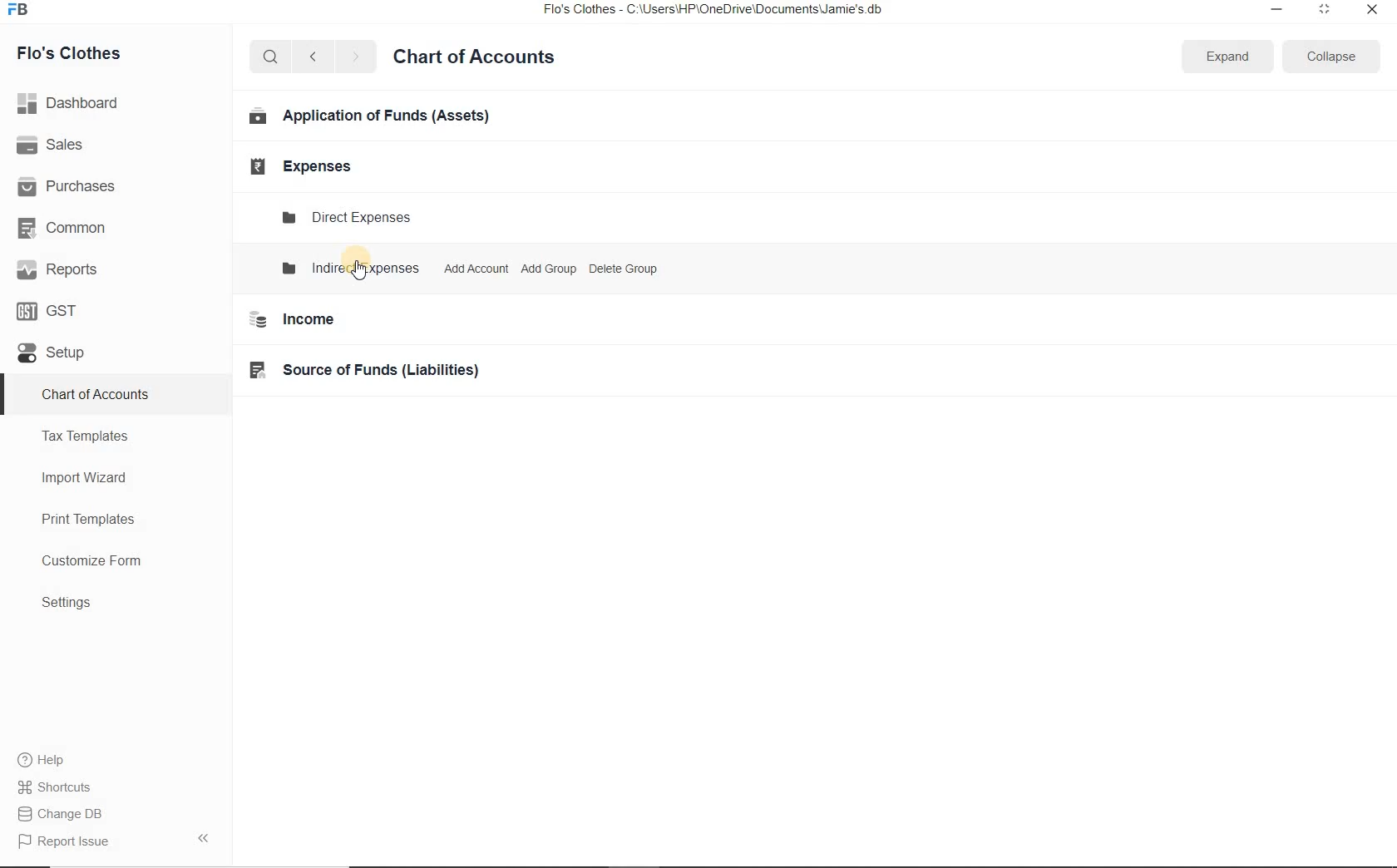 Image resolution: width=1397 pixels, height=868 pixels. What do you see at coordinates (368, 368) in the screenshot?
I see `Source of Funds (Liabilities)` at bounding box center [368, 368].